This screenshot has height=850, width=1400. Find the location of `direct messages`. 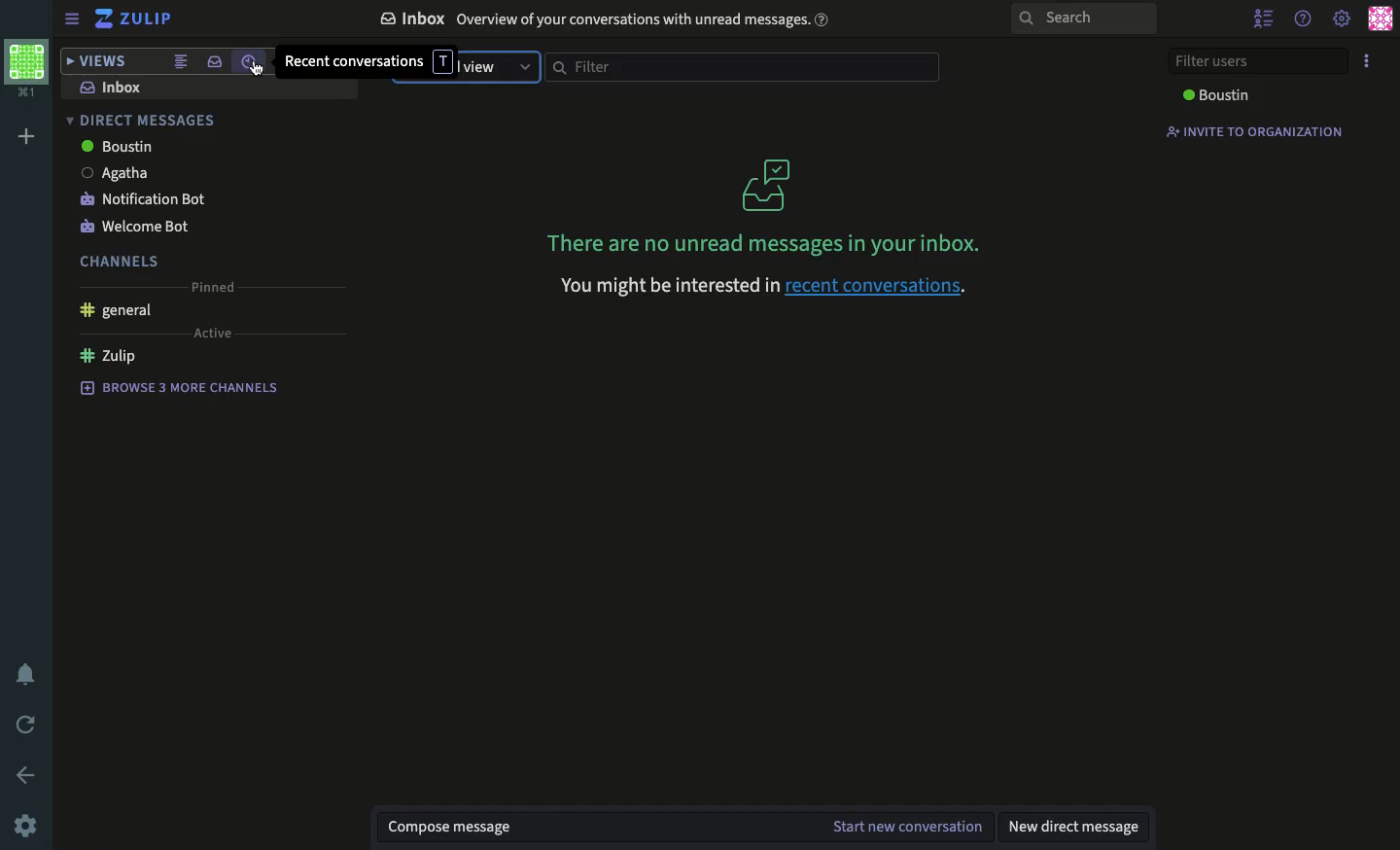

direct messages is located at coordinates (148, 122).